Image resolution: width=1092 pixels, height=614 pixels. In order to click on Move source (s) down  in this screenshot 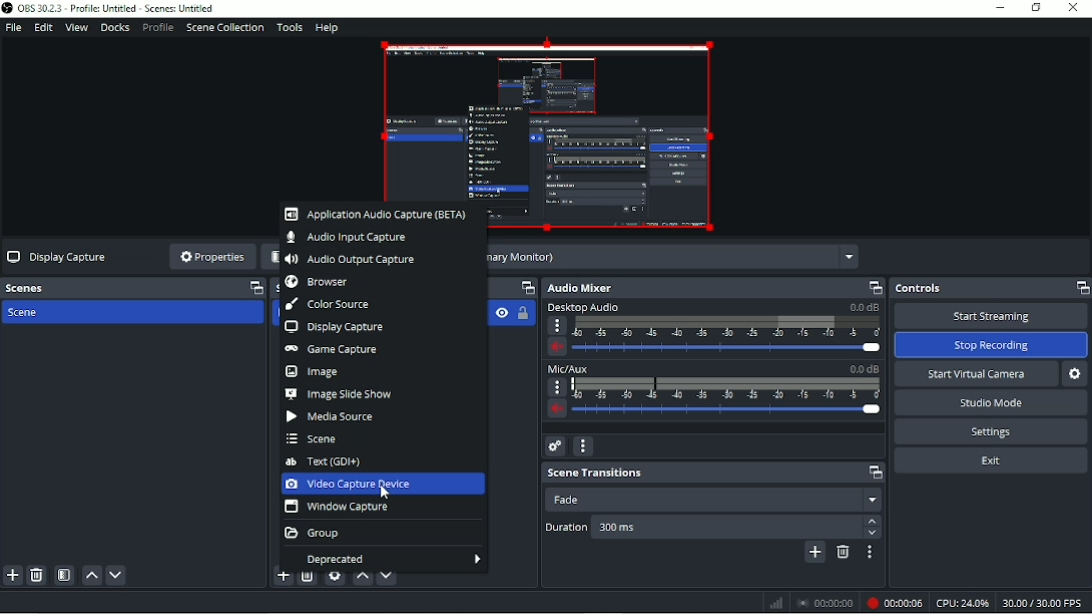, I will do `click(388, 577)`.